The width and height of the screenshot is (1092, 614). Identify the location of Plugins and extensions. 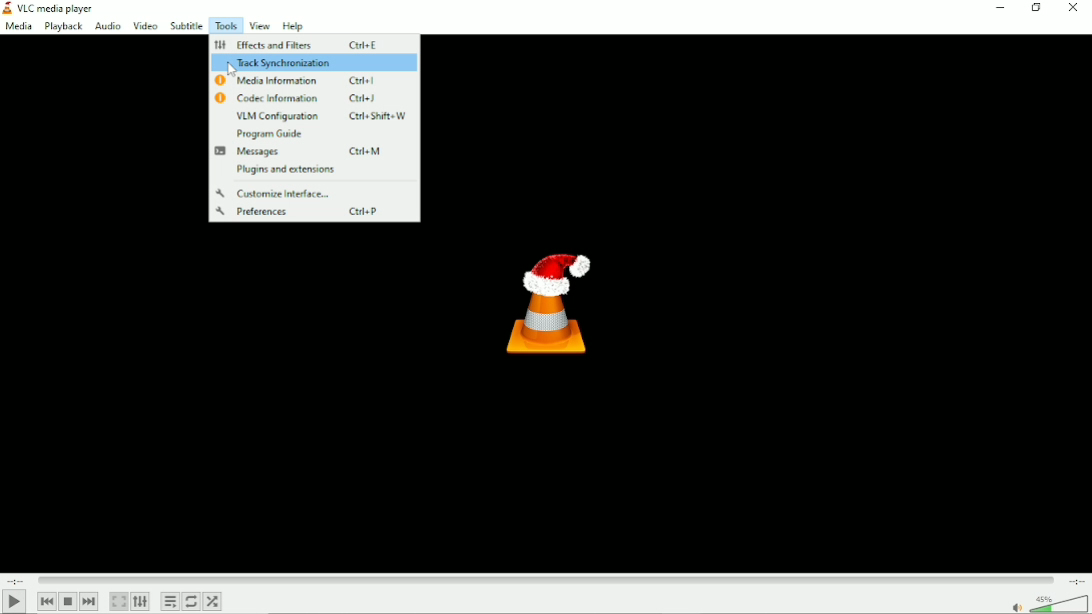
(284, 170).